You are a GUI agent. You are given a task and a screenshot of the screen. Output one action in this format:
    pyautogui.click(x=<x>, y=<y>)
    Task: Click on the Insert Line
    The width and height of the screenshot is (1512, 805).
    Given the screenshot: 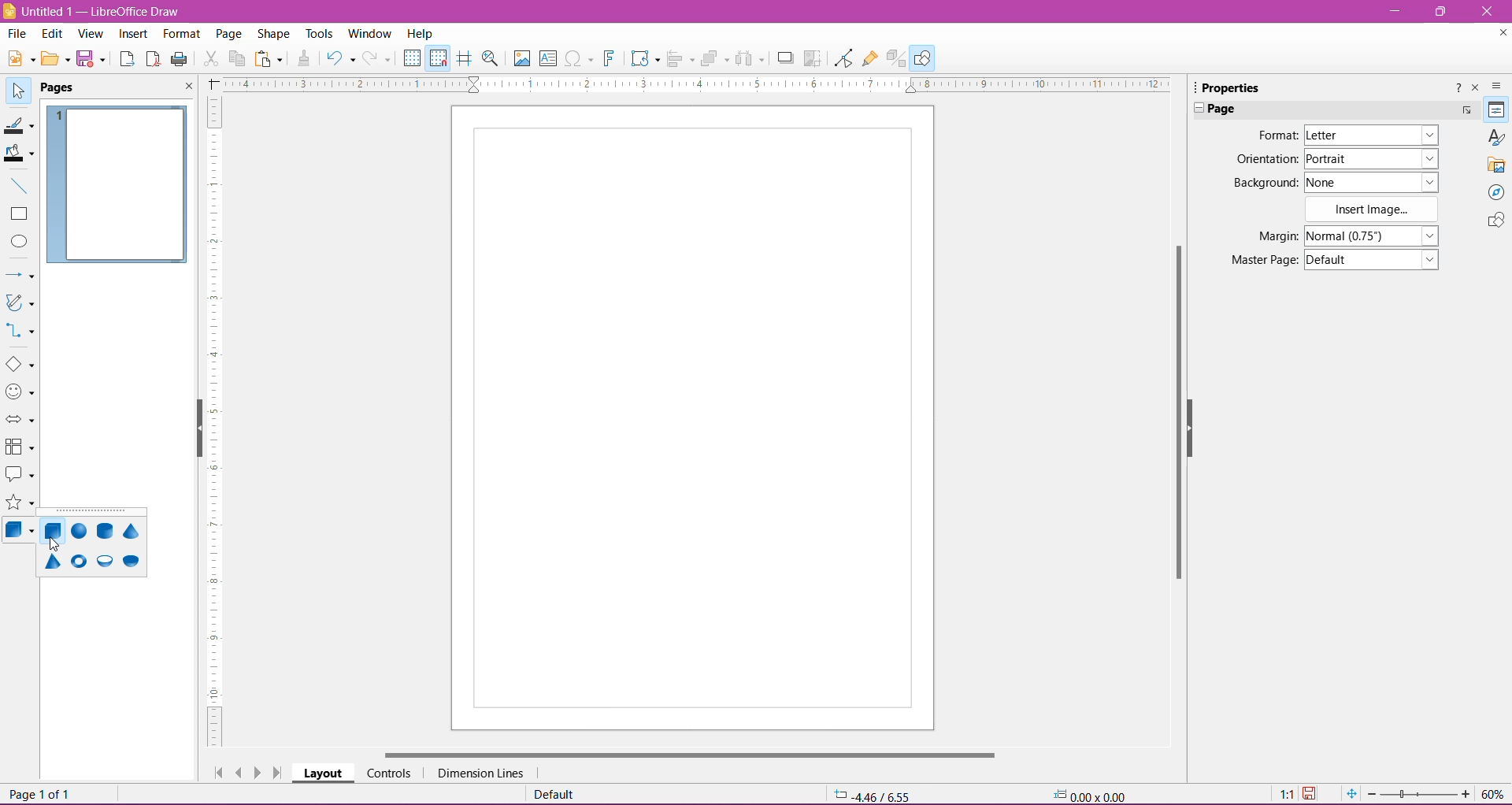 What is the action you would take?
    pyautogui.click(x=18, y=185)
    